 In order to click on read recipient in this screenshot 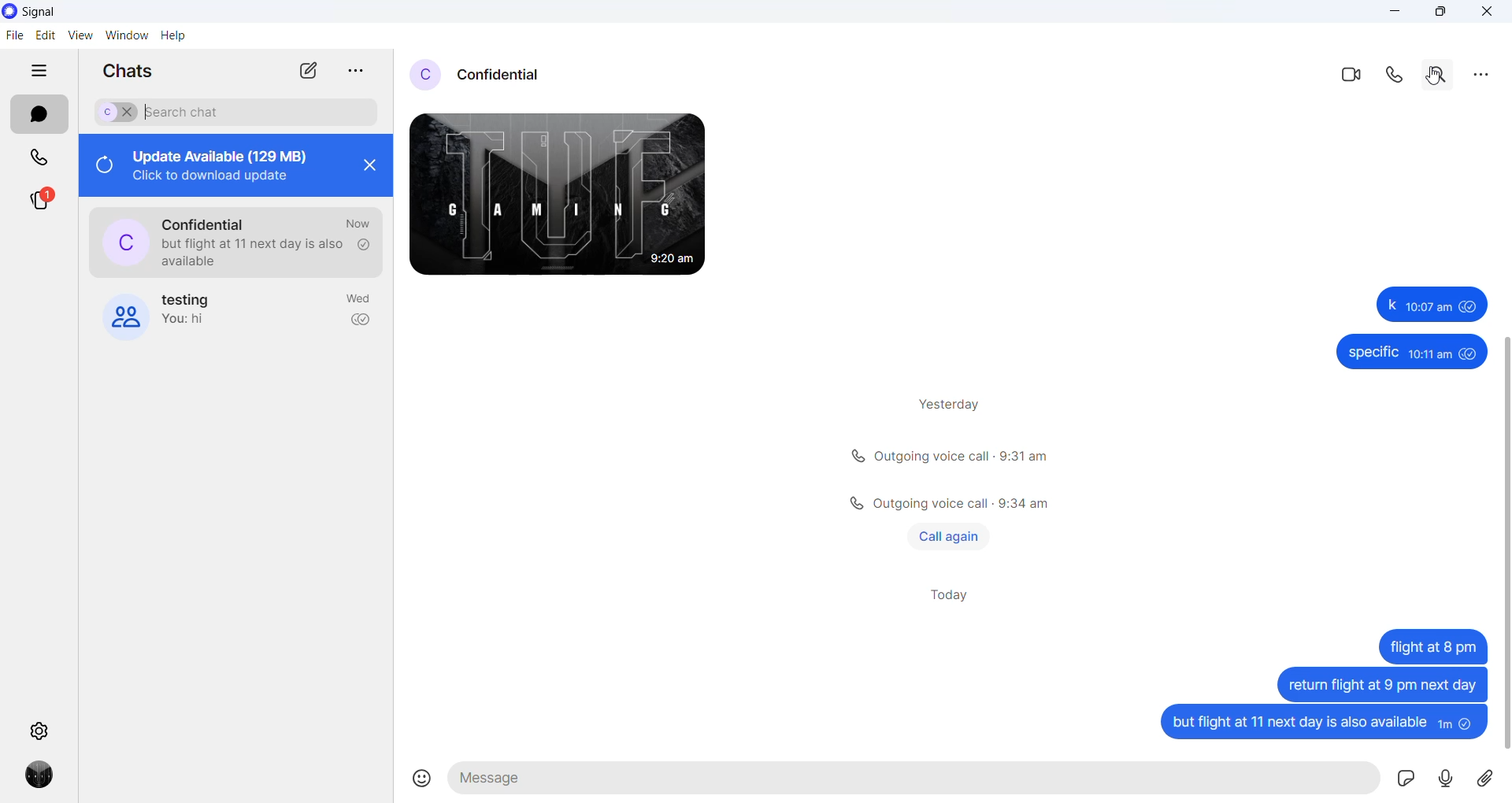, I will do `click(361, 322)`.